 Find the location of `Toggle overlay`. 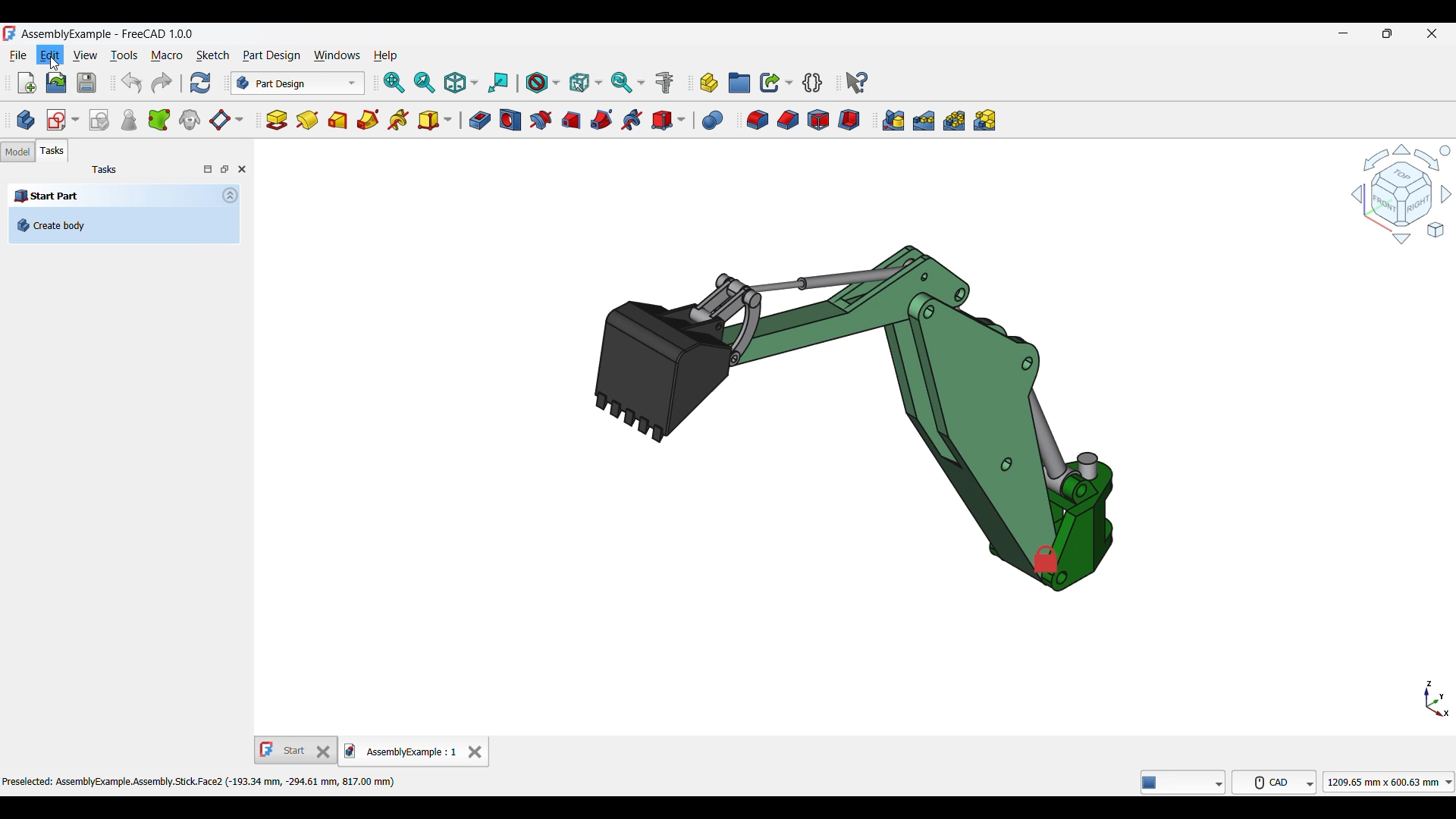

Toggle overlay is located at coordinates (208, 169).